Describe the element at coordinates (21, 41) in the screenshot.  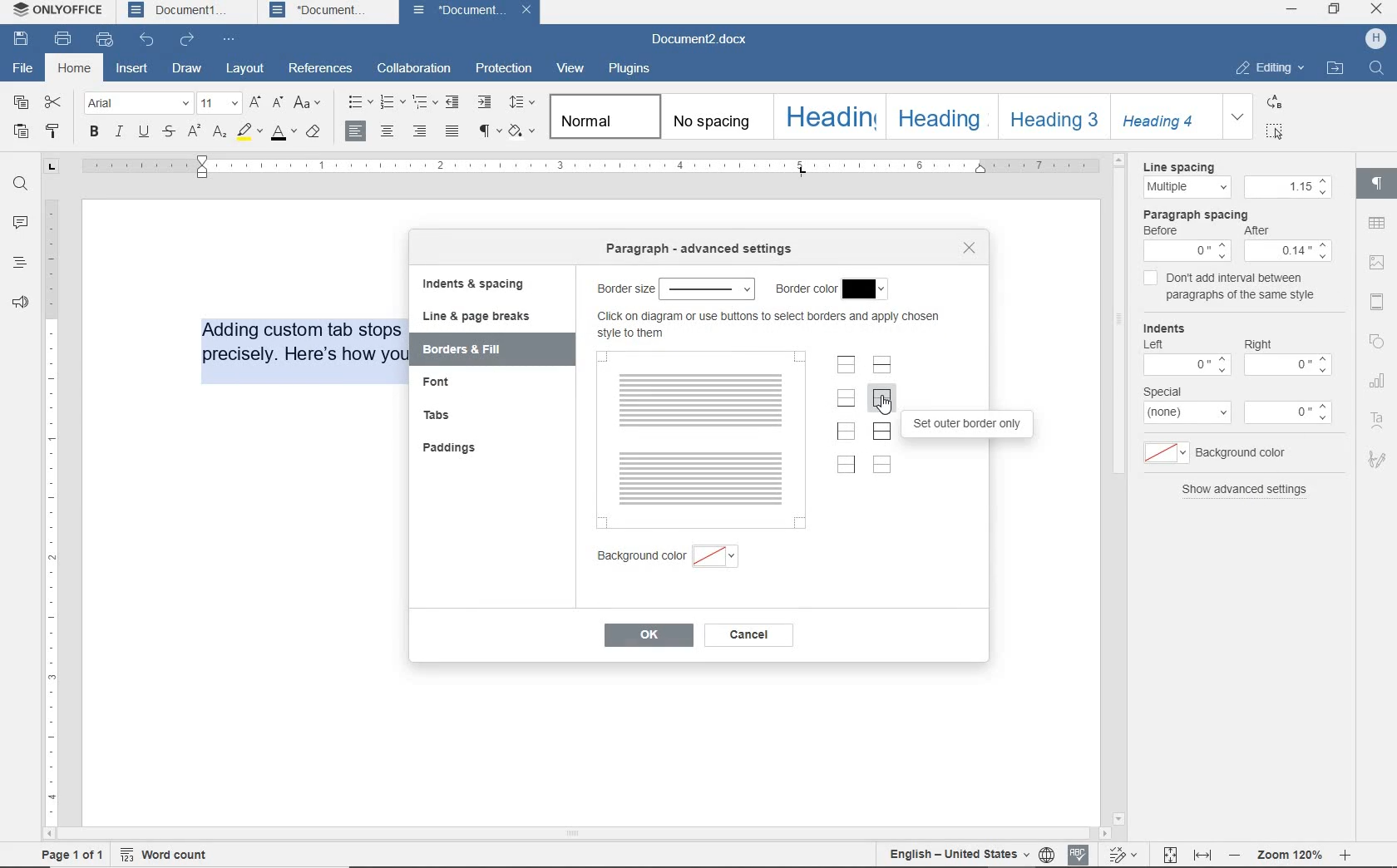
I see `save` at that location.